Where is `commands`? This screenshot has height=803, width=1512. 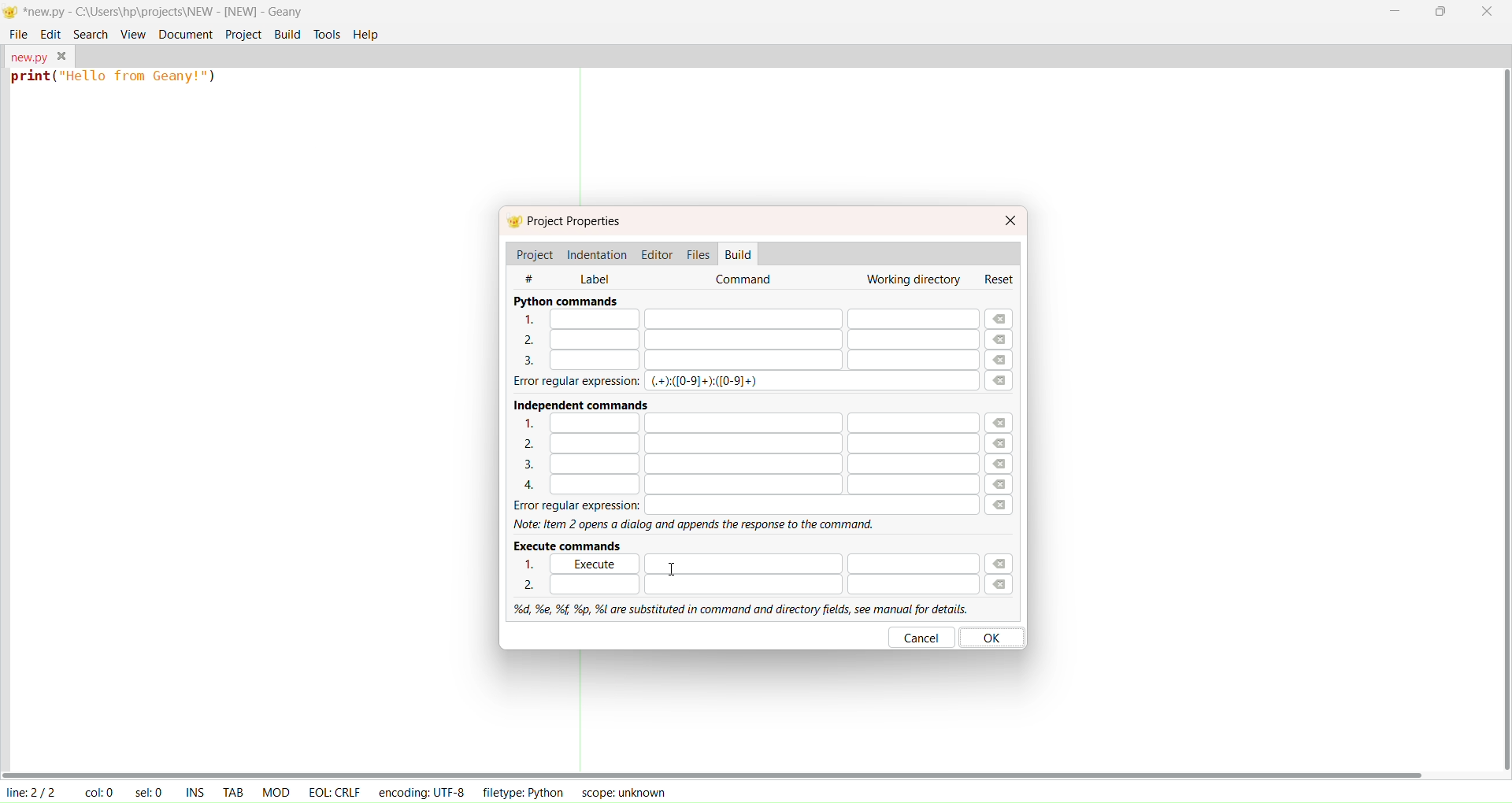 commands is located at coordinates (747, 280).